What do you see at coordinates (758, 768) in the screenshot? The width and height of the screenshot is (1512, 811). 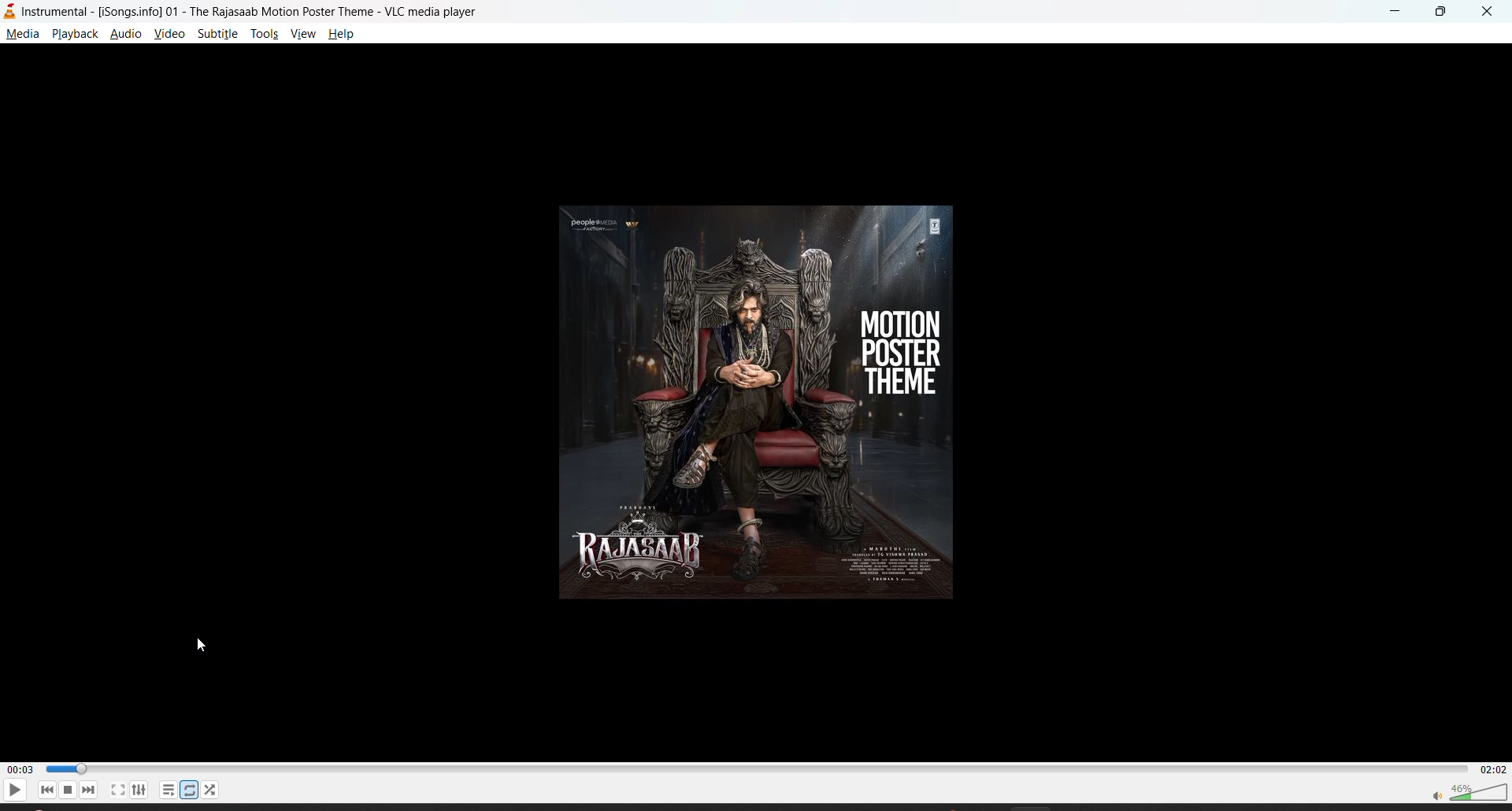 I see `Progress` at bounding box center [758, 768].